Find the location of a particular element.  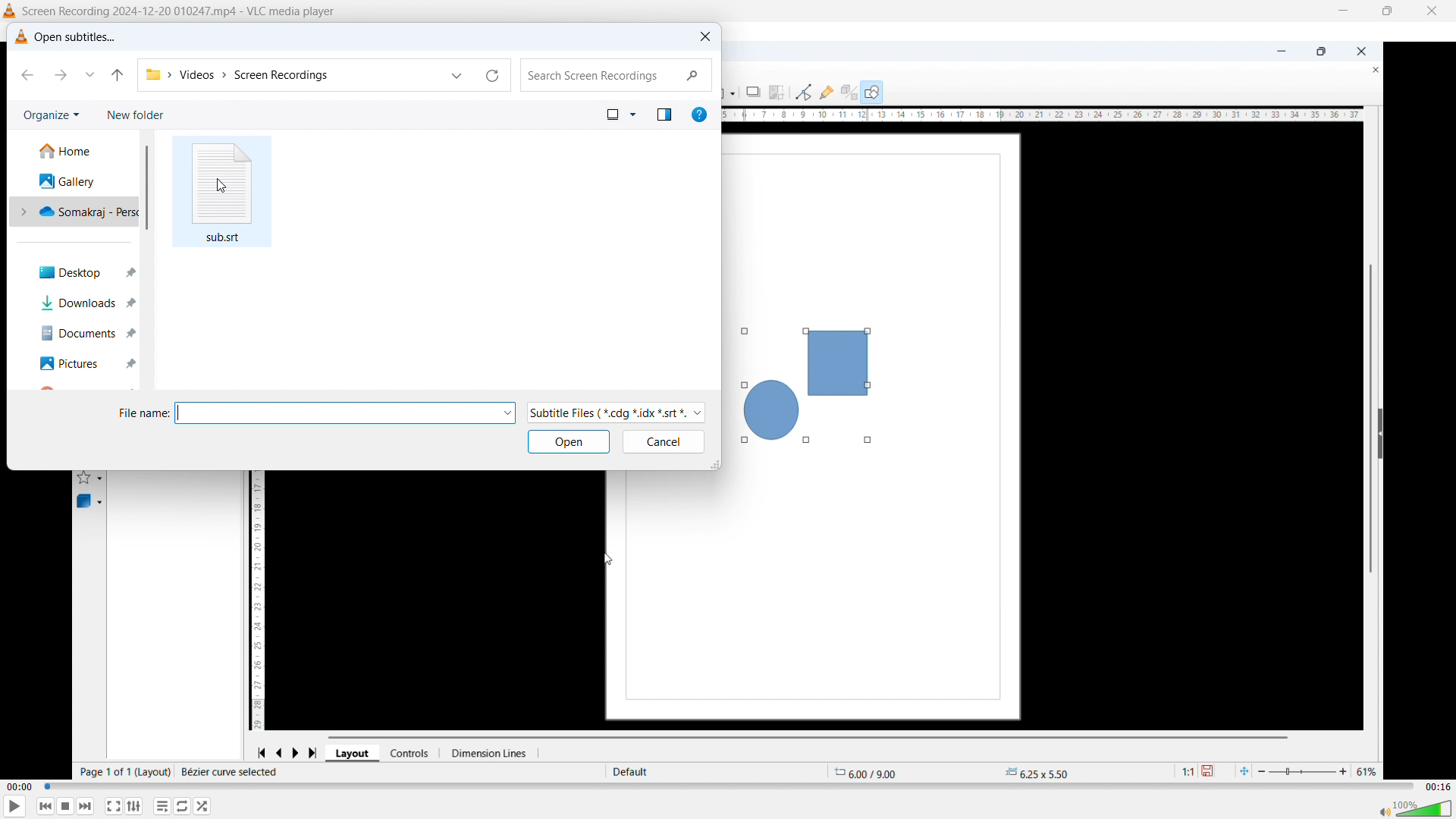

Play  is located at coordinates (15, 807).